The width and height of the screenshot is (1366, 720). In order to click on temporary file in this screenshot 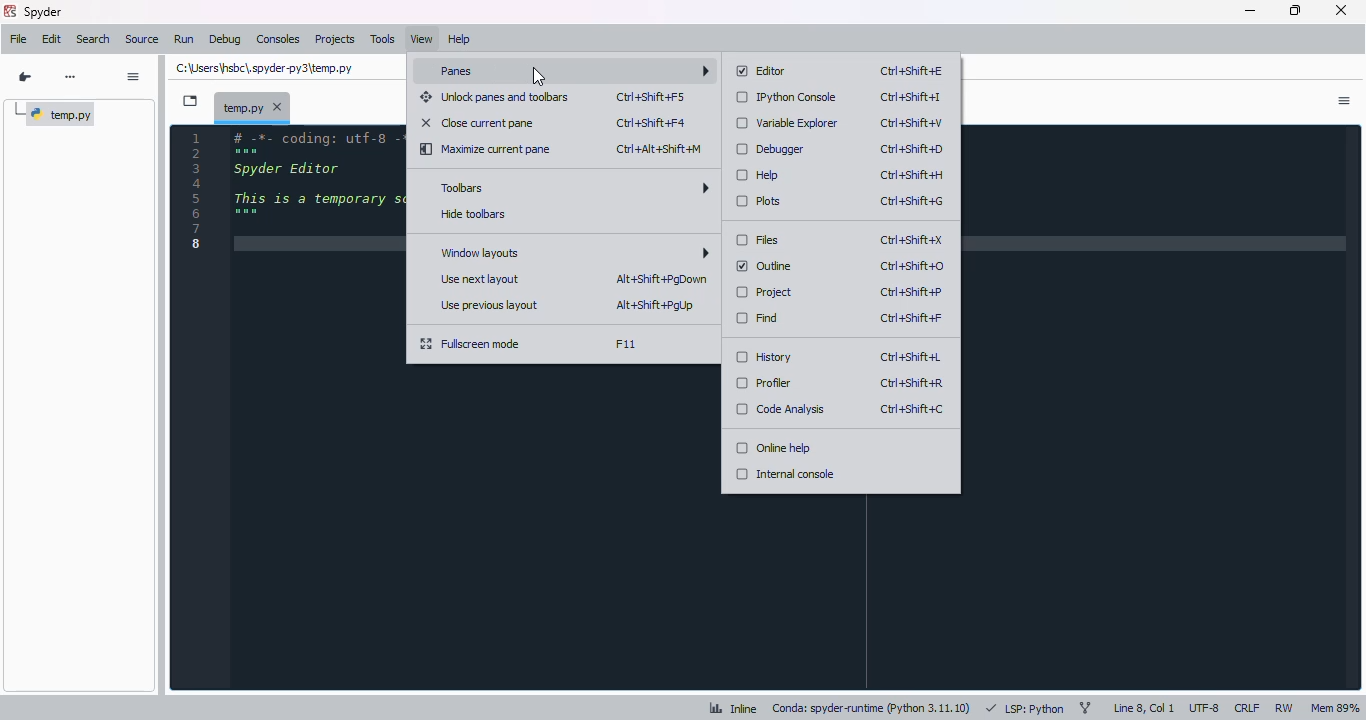, I will do `click(264, 69)`.